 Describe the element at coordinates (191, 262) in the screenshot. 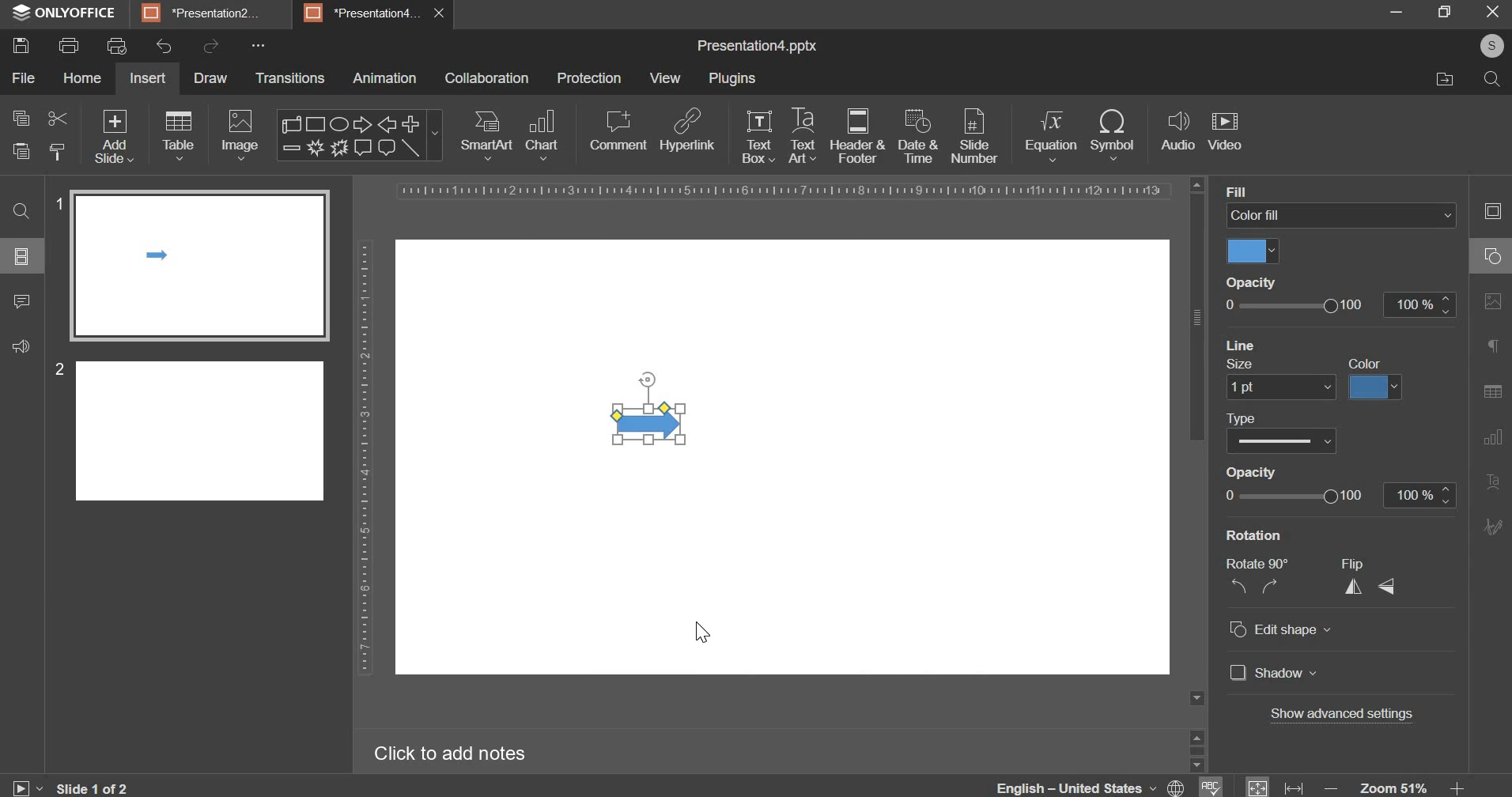

I see `slide 1` at that location.